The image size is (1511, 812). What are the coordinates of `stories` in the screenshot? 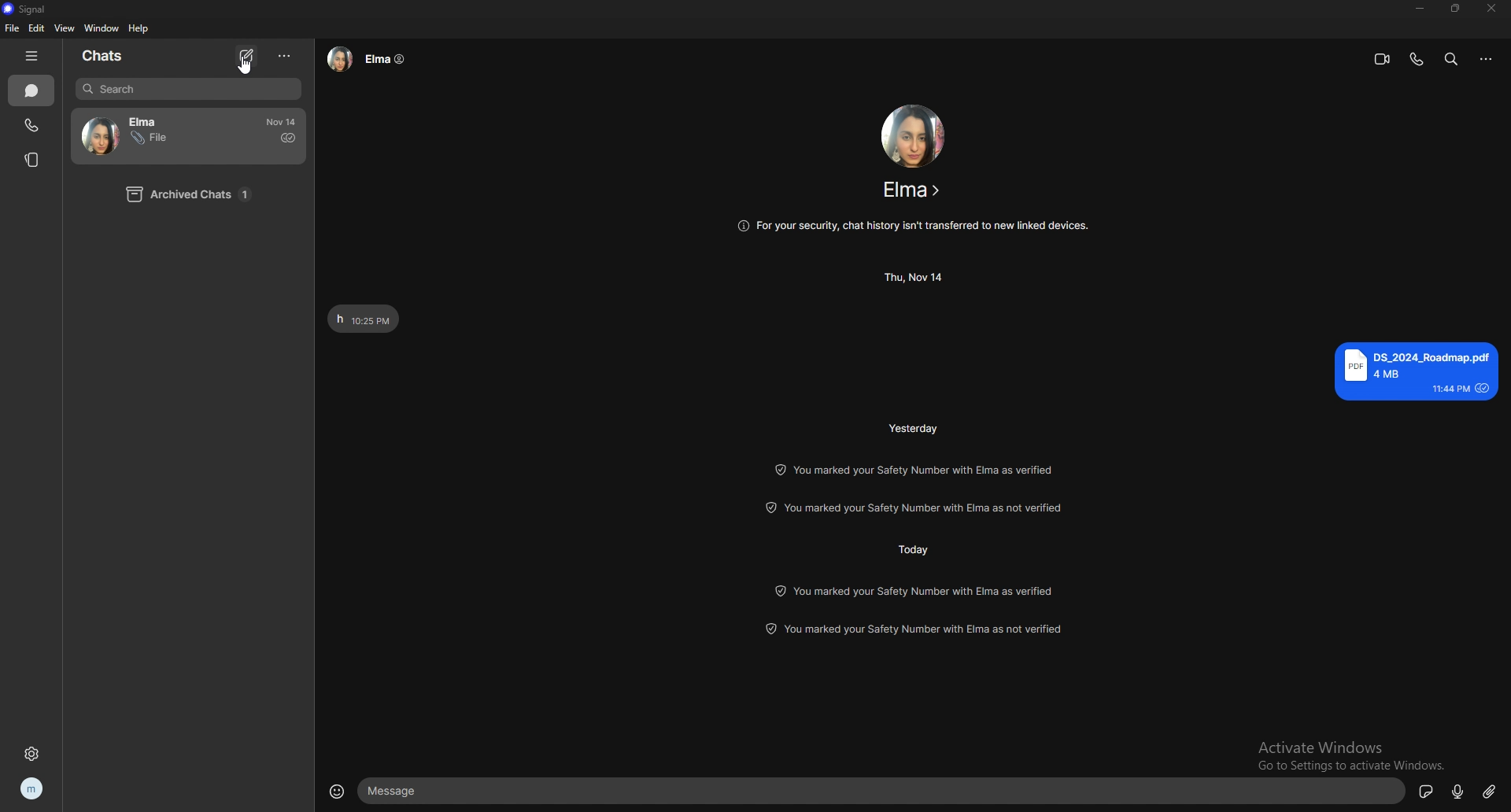 It's located at (31, 159).